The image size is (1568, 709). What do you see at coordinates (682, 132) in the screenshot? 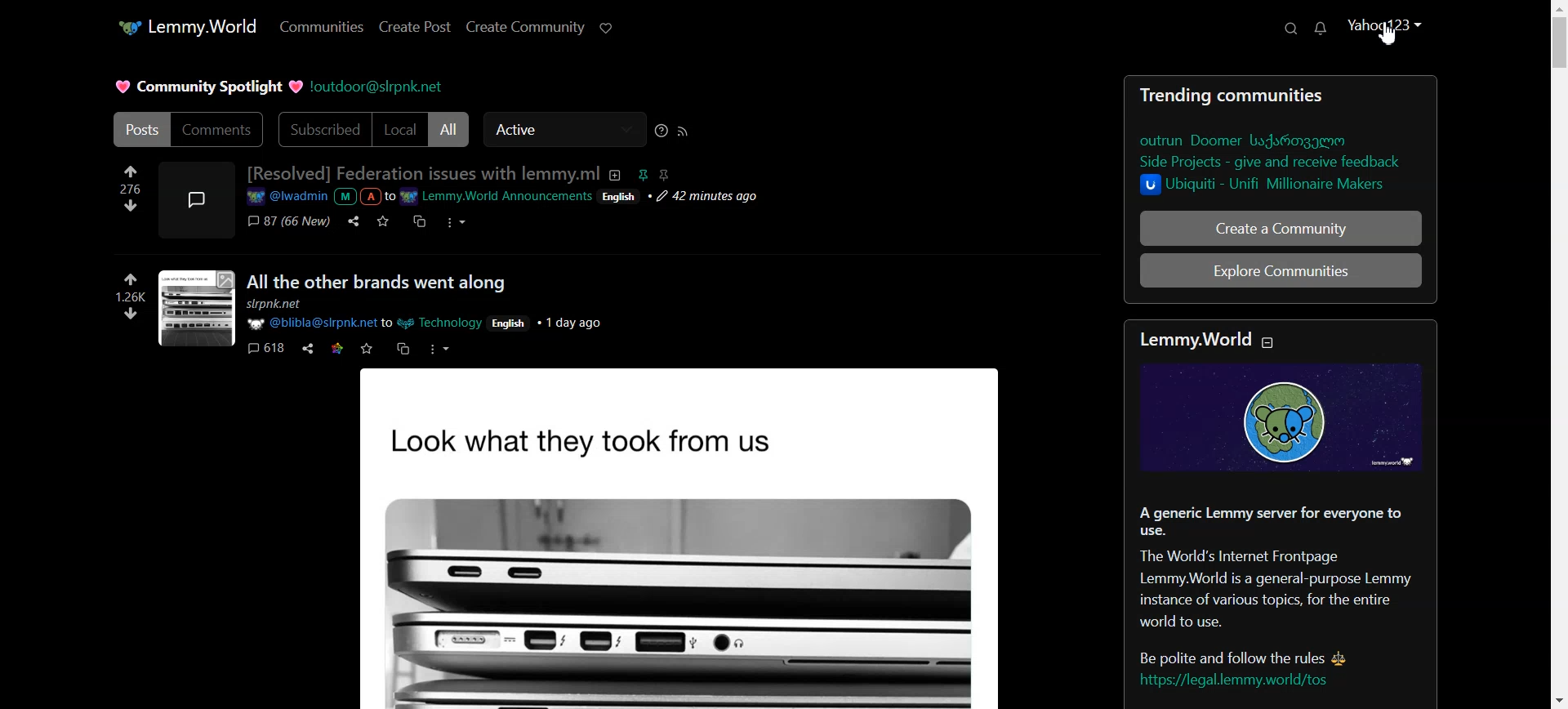
I see `RSS` at bounding box center [682, 132].